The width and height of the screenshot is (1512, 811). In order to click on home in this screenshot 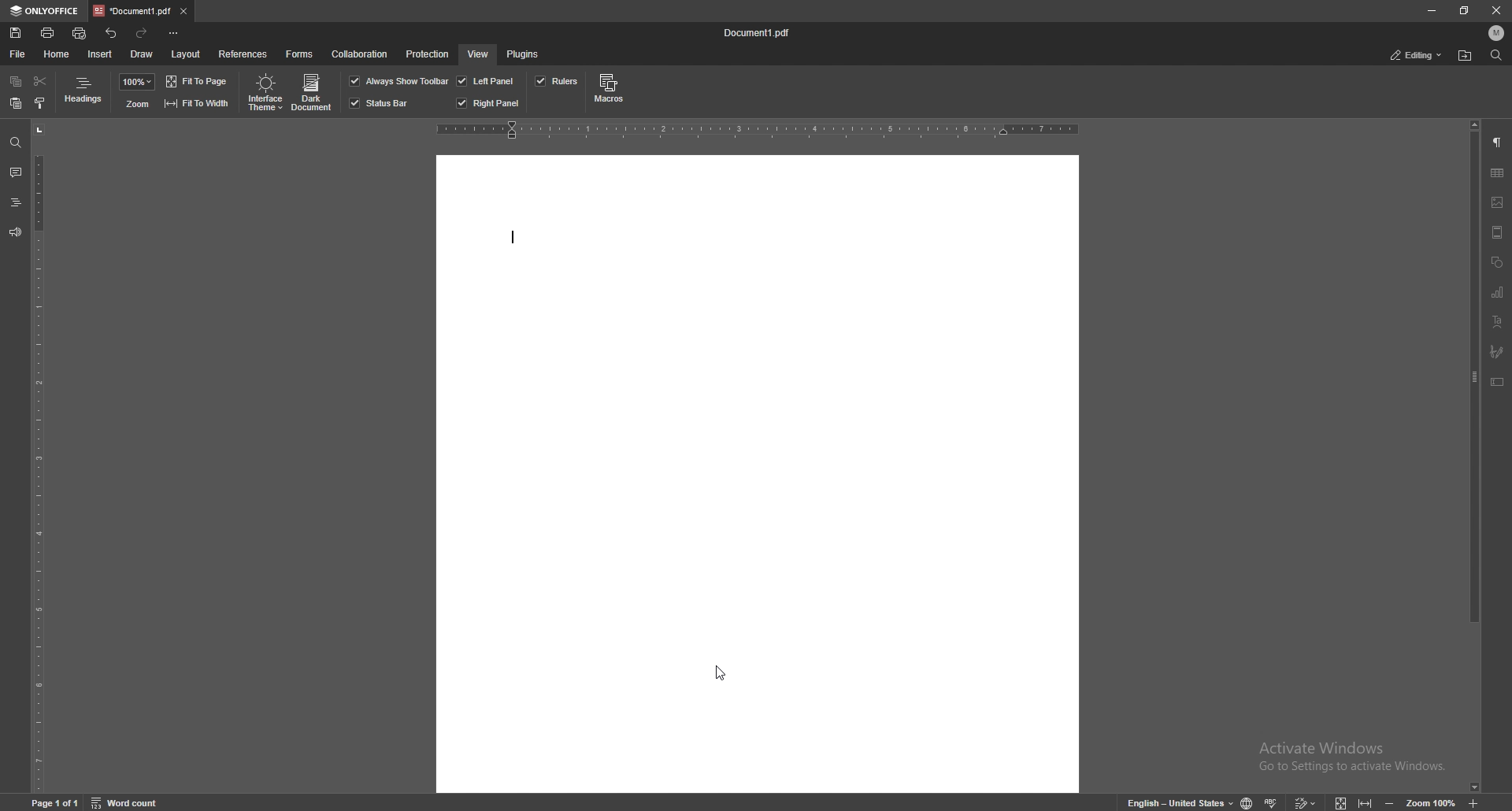, I will do `click(57, 54)`.